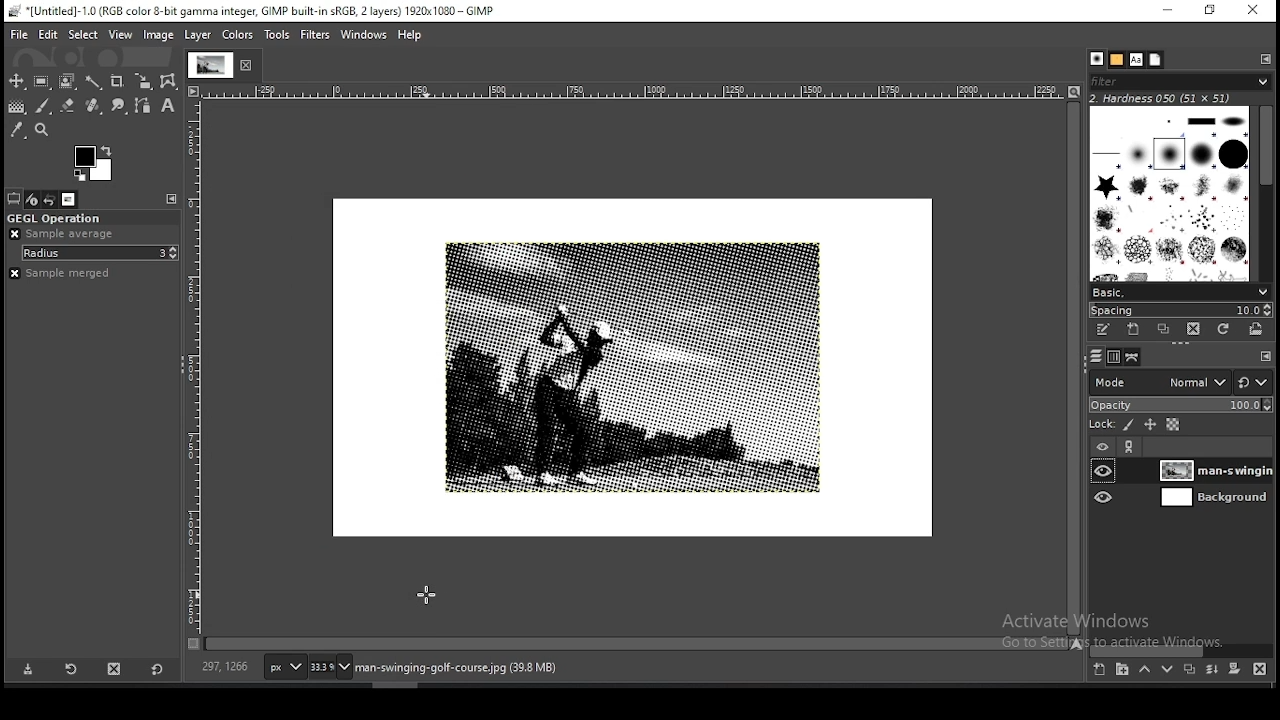 The image size is (1280, 720). Describe the element at coordinates (1255, 378) in the screenshot. I see `reset` at that location.